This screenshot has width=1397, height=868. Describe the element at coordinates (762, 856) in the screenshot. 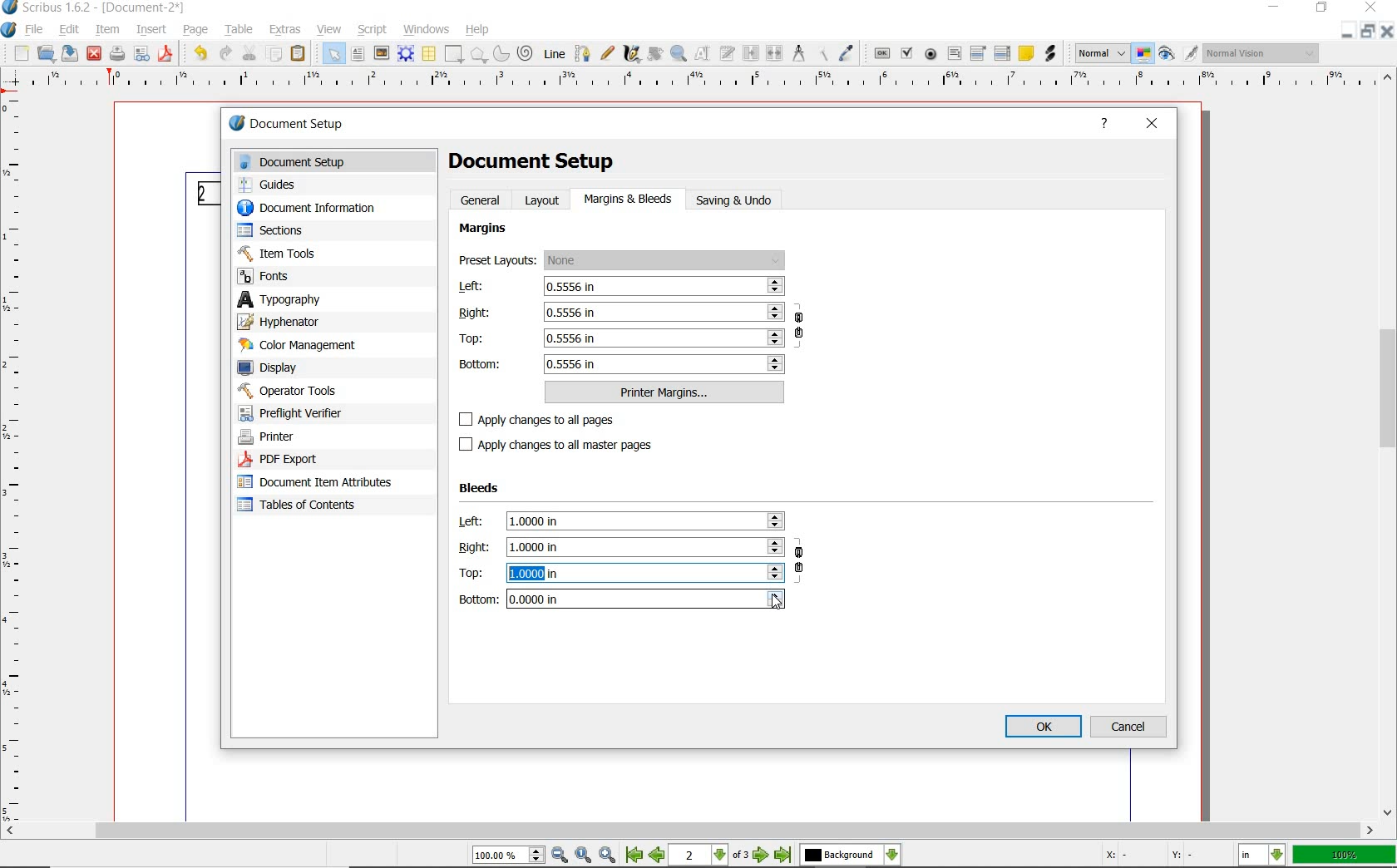

I see `Next Page` at that location.